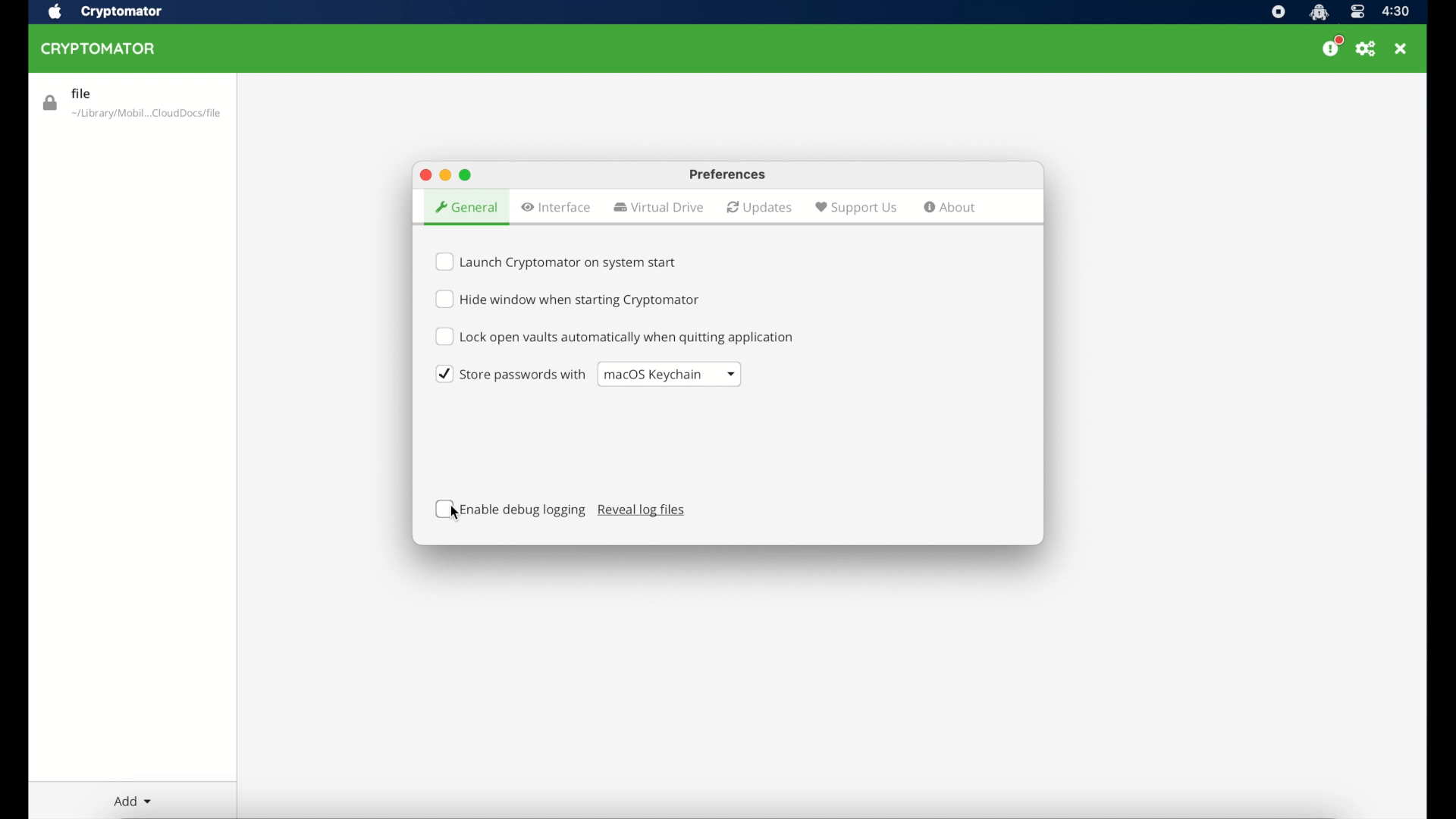  What do you see at coordinates (100, 49) in the screenshot?
I see `cryptomator` at bounding box center [100, 49].